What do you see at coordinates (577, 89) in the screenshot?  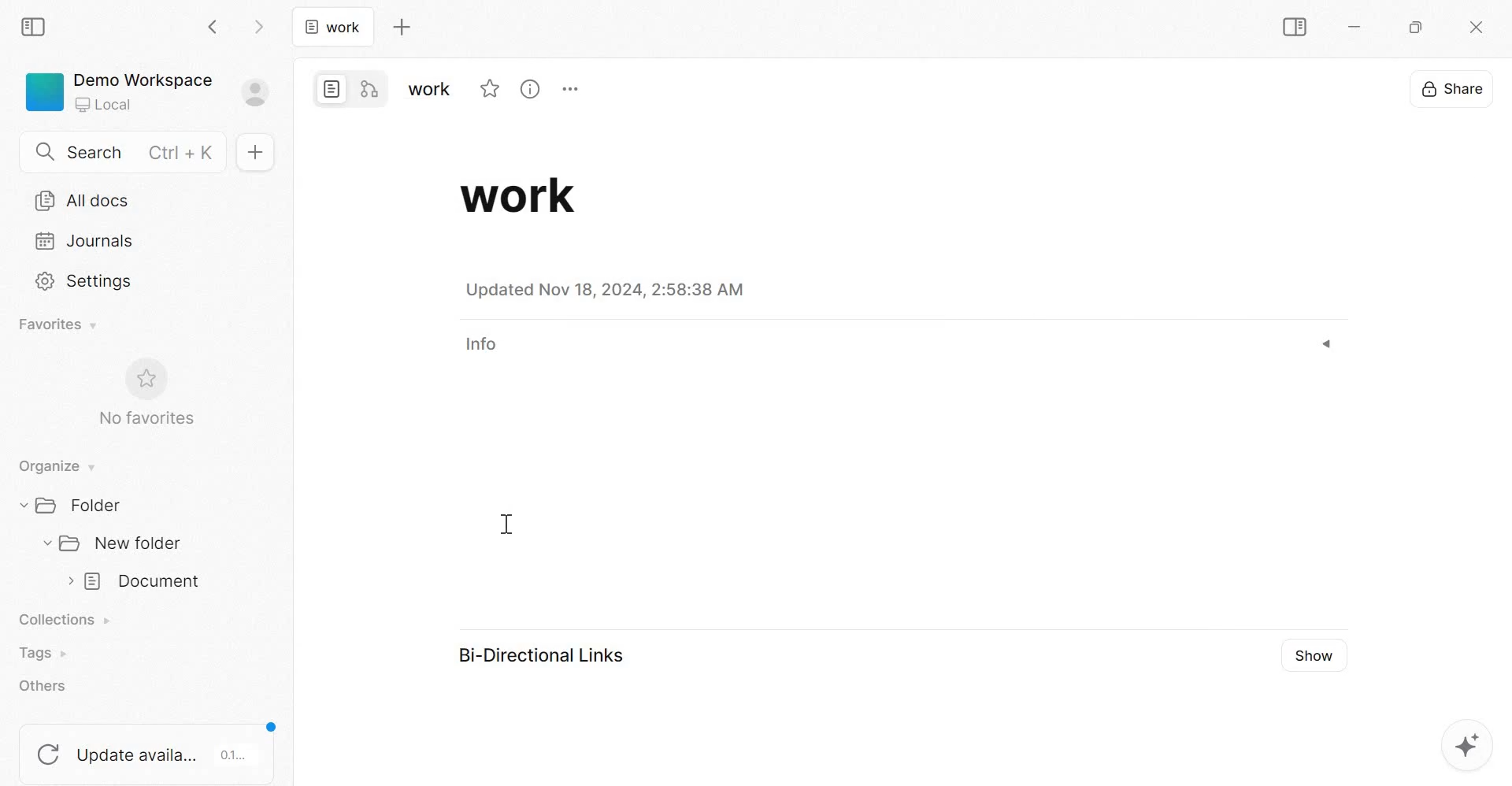 I see `more options` at bounding box center [577, 89].